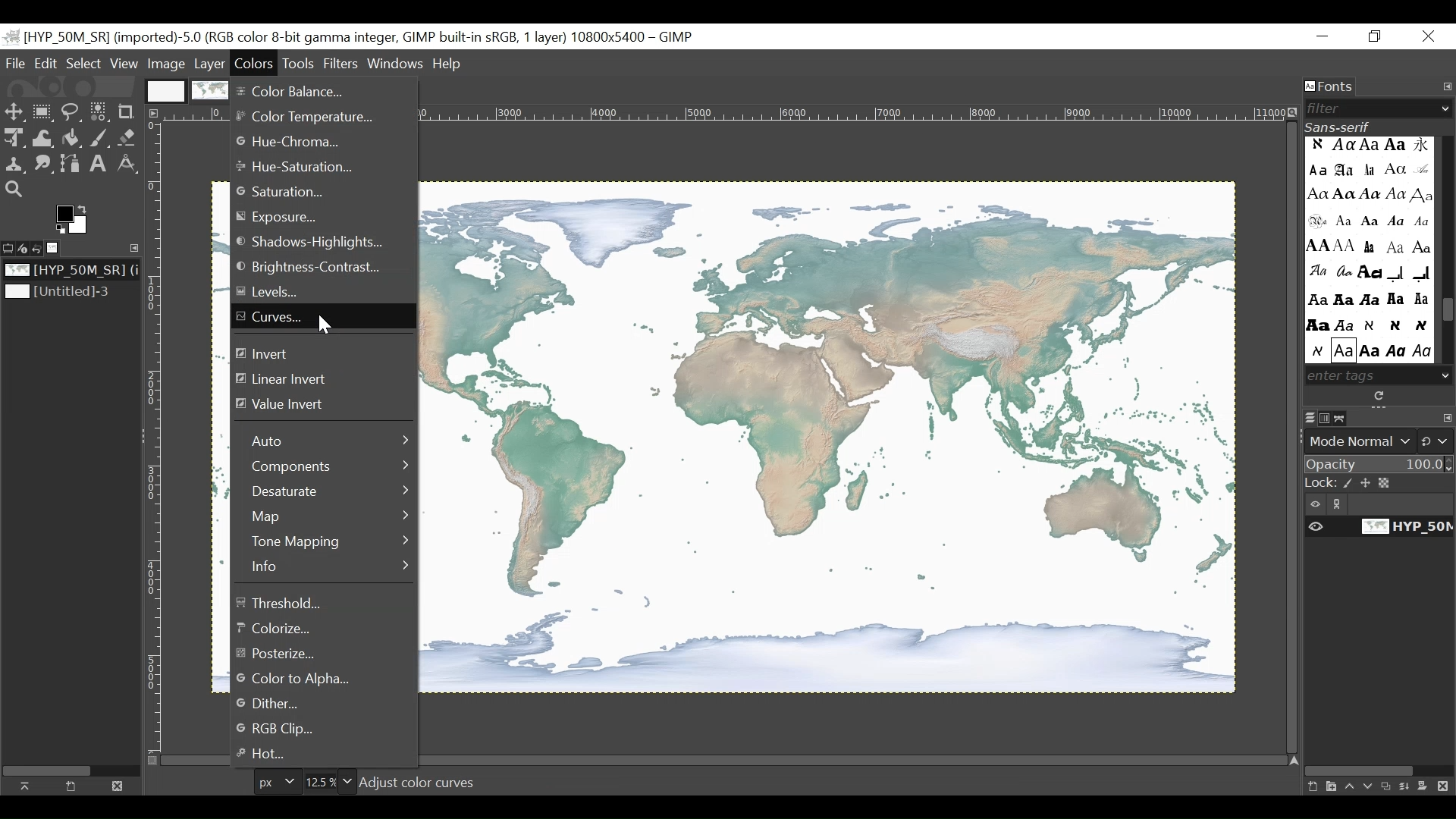  Describe the element at coordinates (350, 36) in the screenshot. I see `untitled -36.0 (rgb color 8-bit gamma integer , gimp built in stgb, 1 layer) 1174x788 - gimp` at that location.